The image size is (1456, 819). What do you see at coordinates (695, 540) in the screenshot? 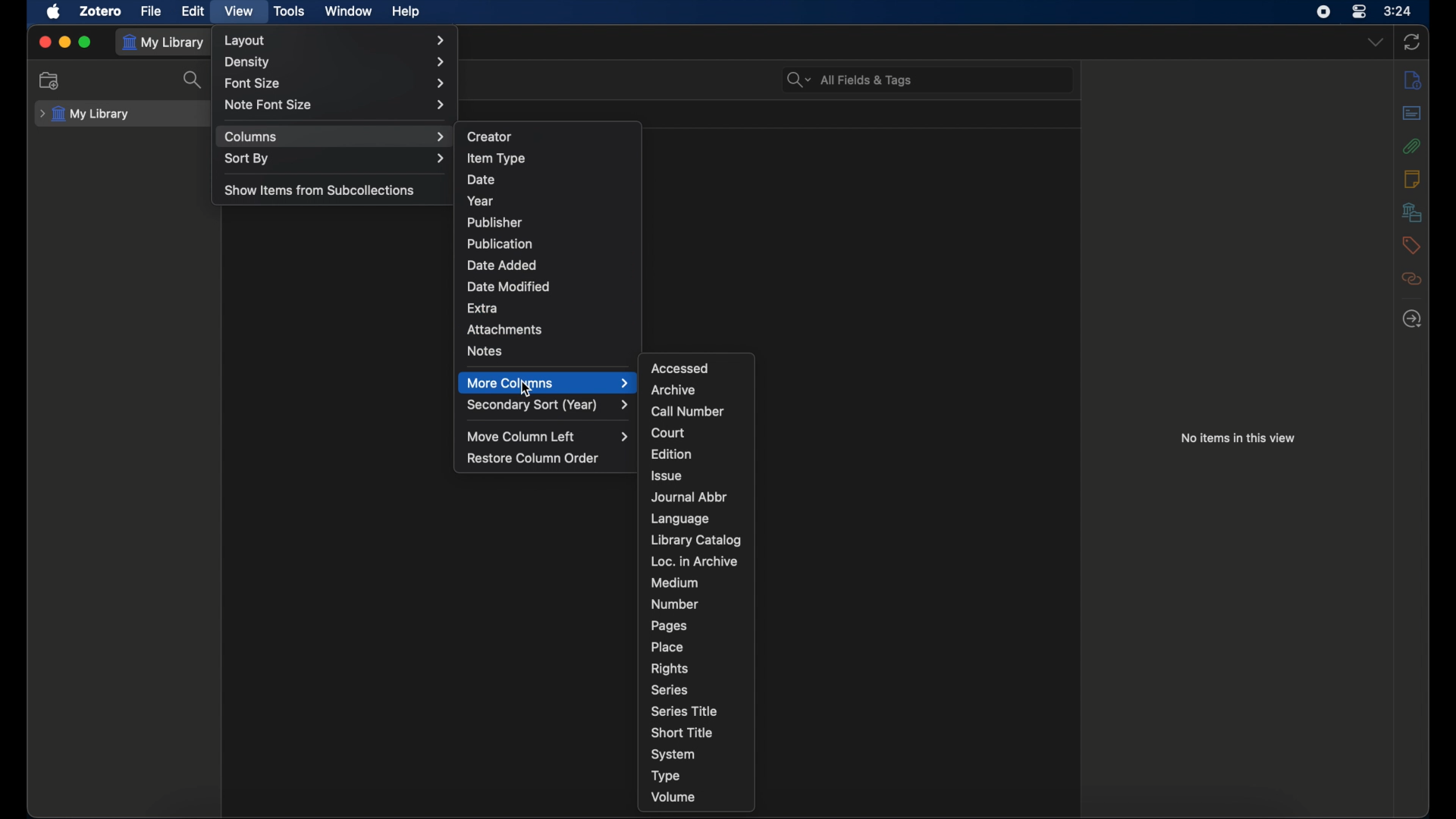
I see `library catalog` at bounding box center [695, 540].